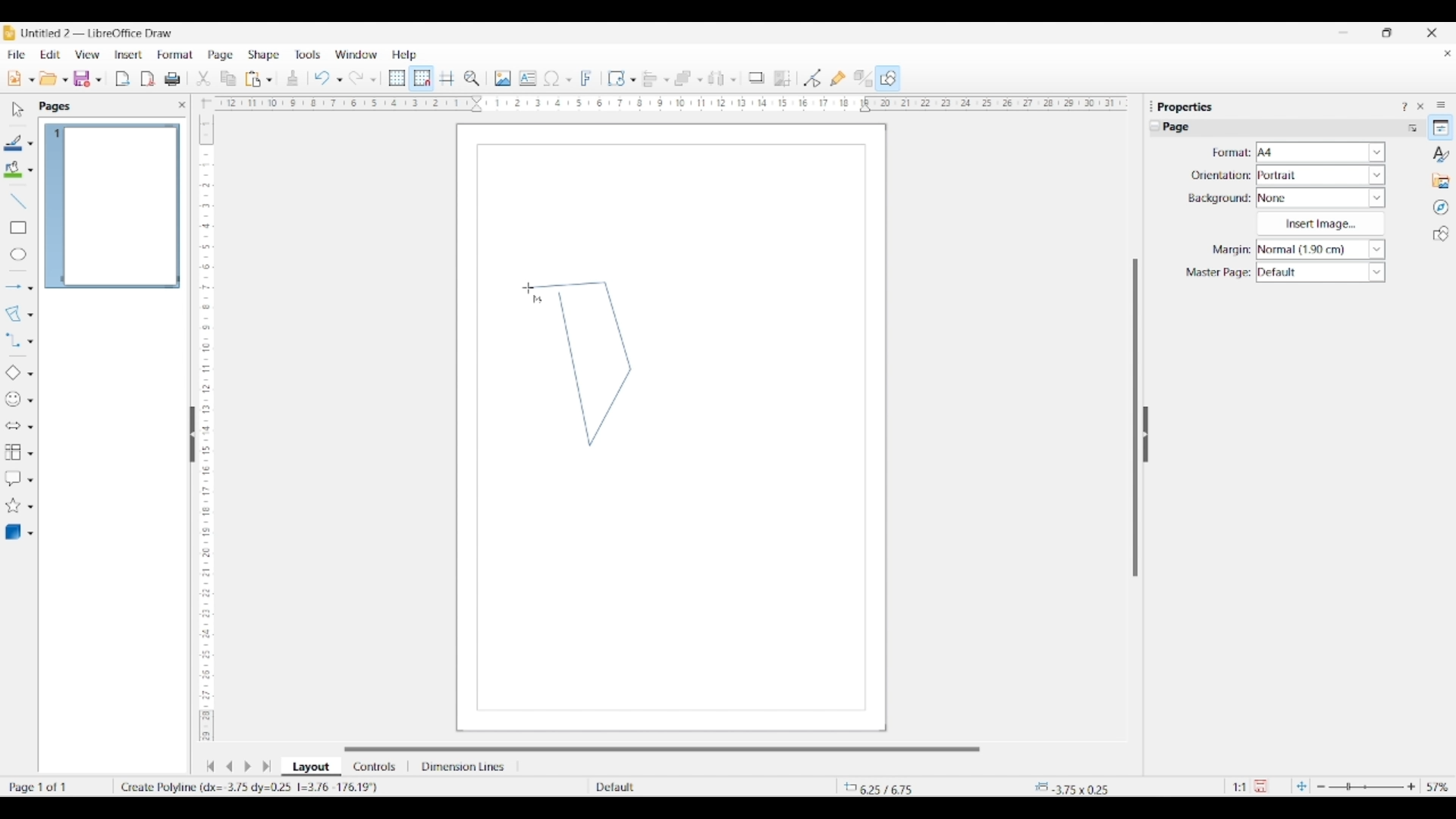 The height and width of the screenshot is (819, 1456). Describe the element at coordinates (680, 788) in the screenshot. I see `Slide master name` at that location.